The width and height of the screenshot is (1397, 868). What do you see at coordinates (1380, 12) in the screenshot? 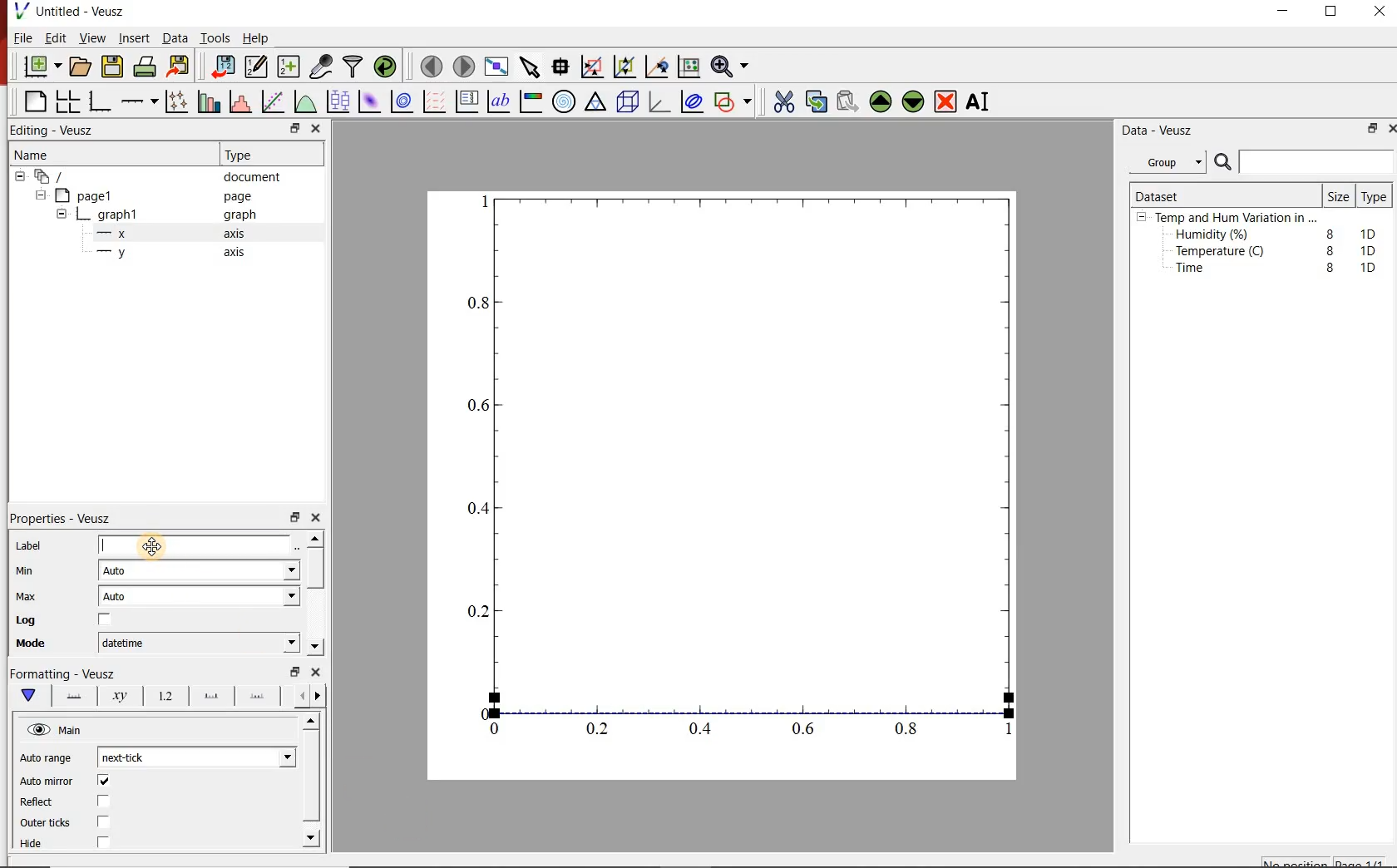
I see `close` at bounding box center [1380, 12].